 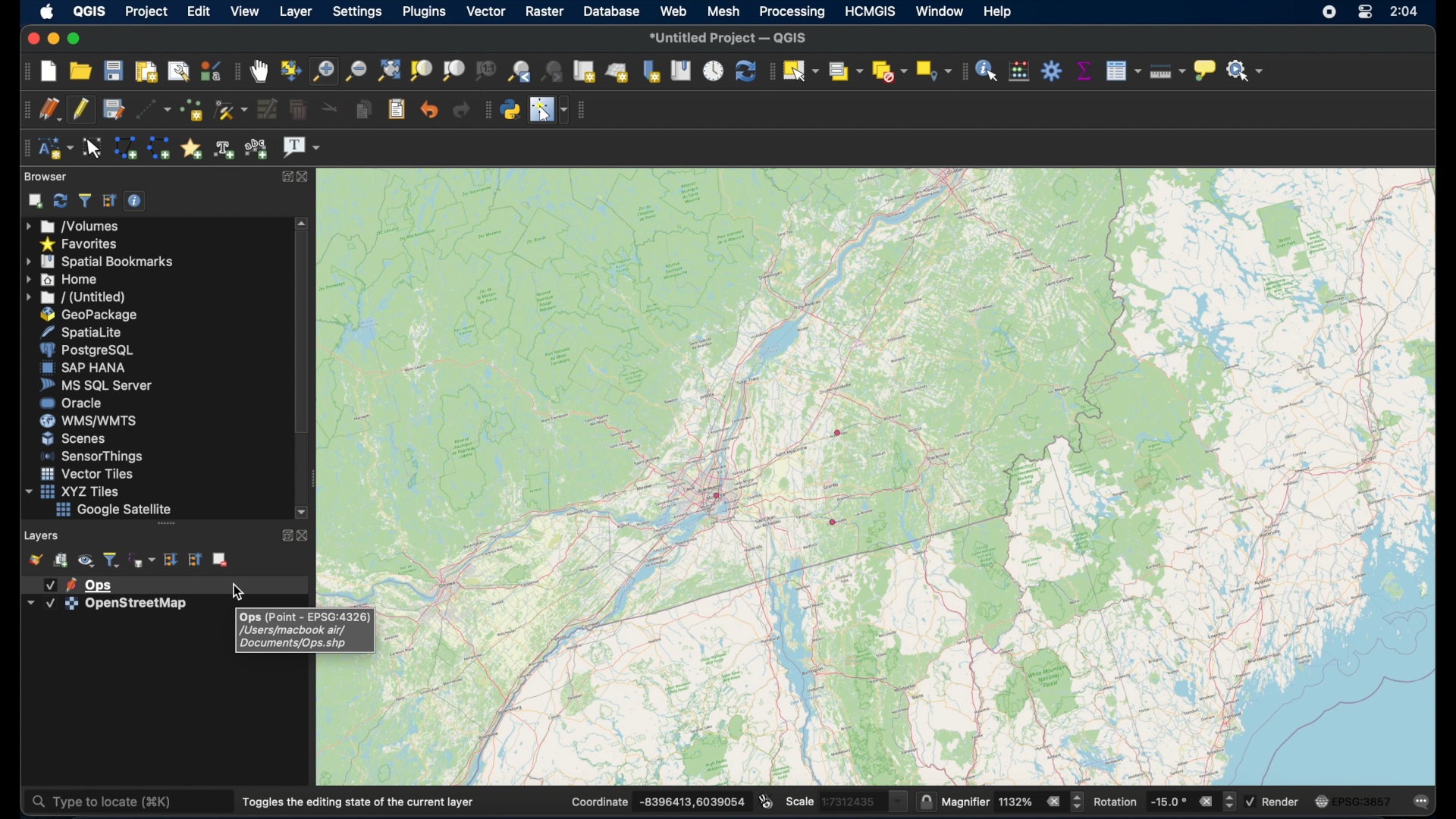 I want to click on remove layer group, so click(x=219, y=558).